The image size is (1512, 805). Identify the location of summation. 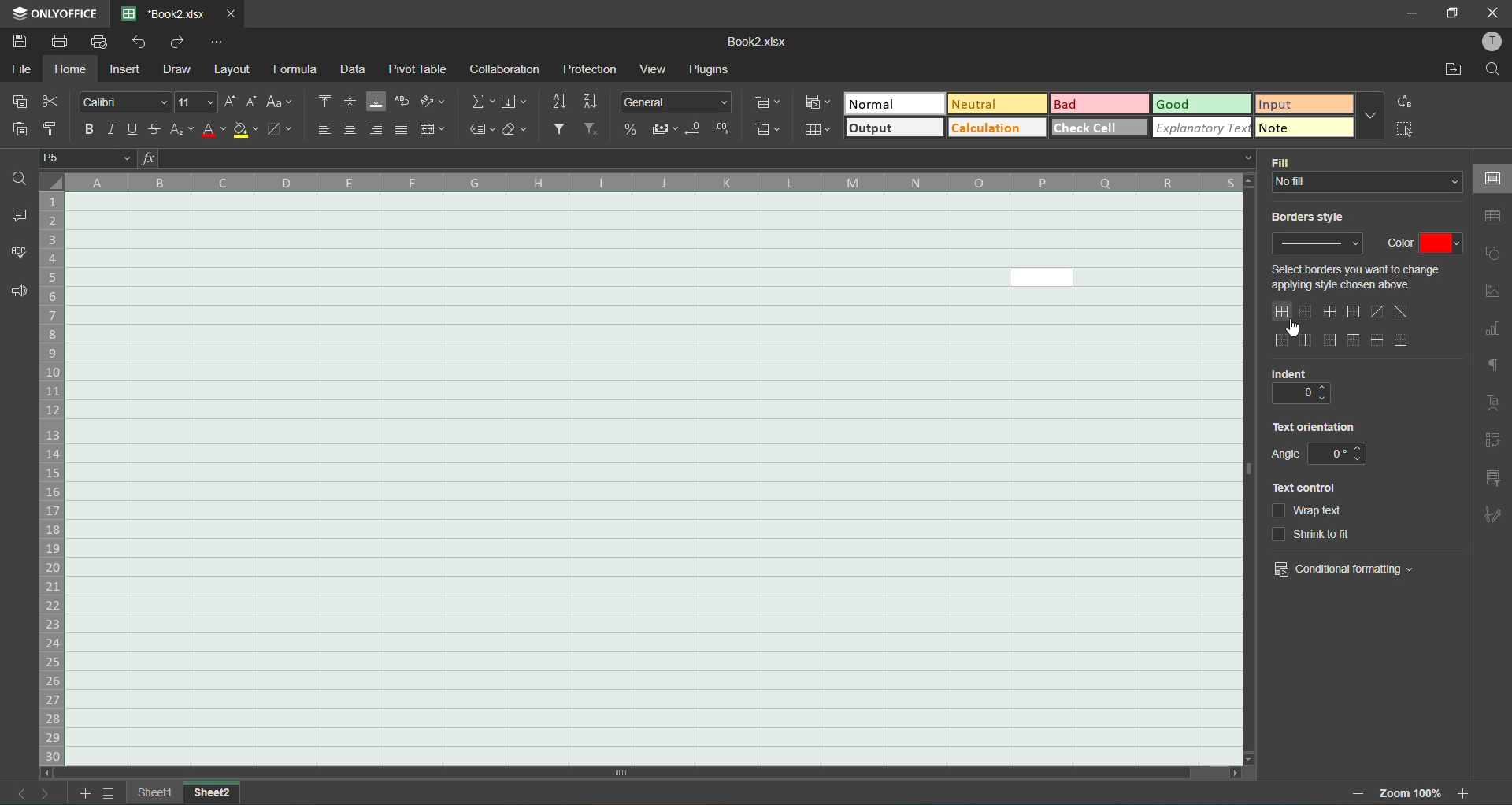
(487, 102).